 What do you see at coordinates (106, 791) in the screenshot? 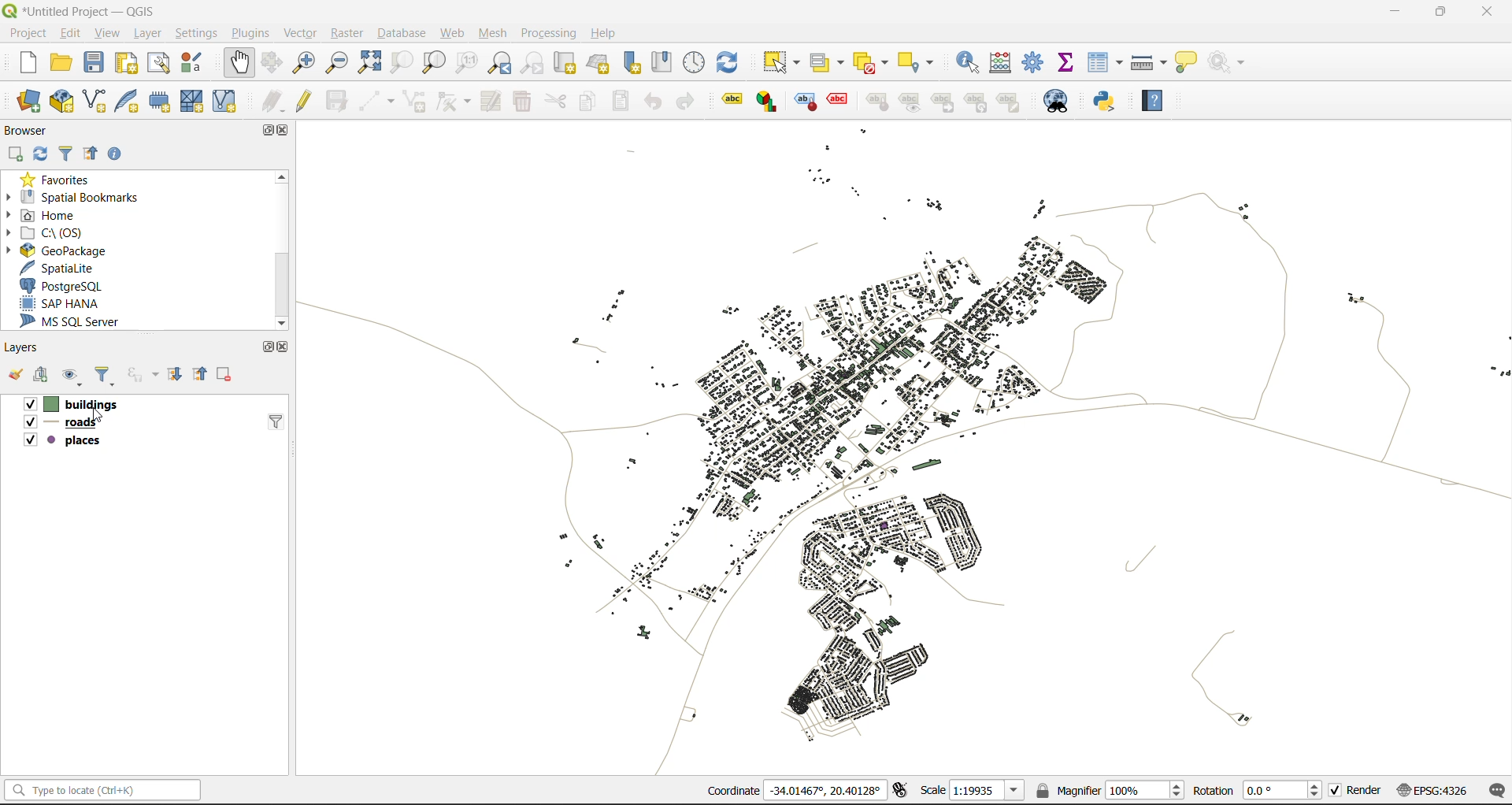
I see `status  bar` at bounding box center [106, 791].